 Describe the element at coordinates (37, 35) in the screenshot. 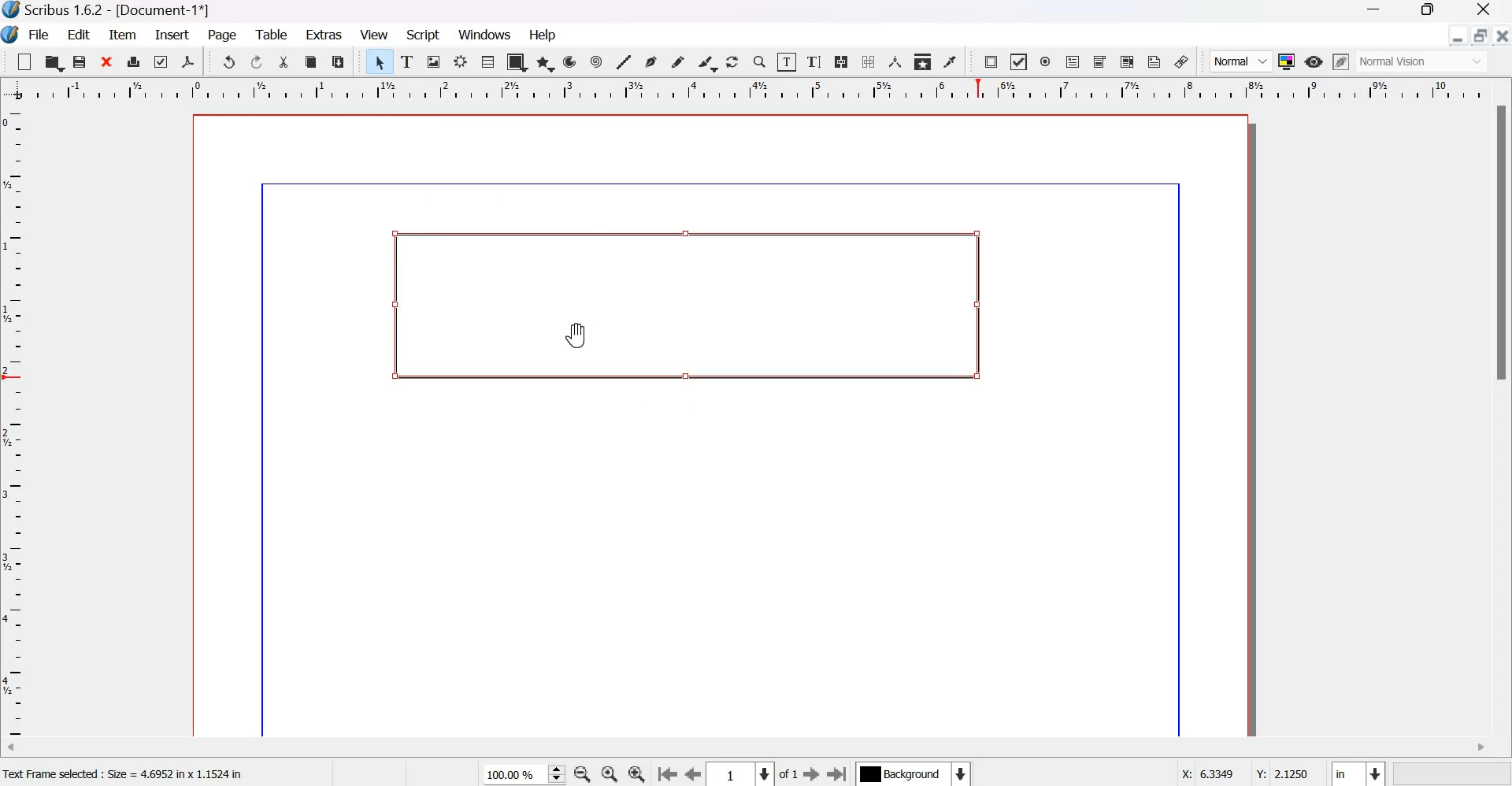

I see `File` at that location.